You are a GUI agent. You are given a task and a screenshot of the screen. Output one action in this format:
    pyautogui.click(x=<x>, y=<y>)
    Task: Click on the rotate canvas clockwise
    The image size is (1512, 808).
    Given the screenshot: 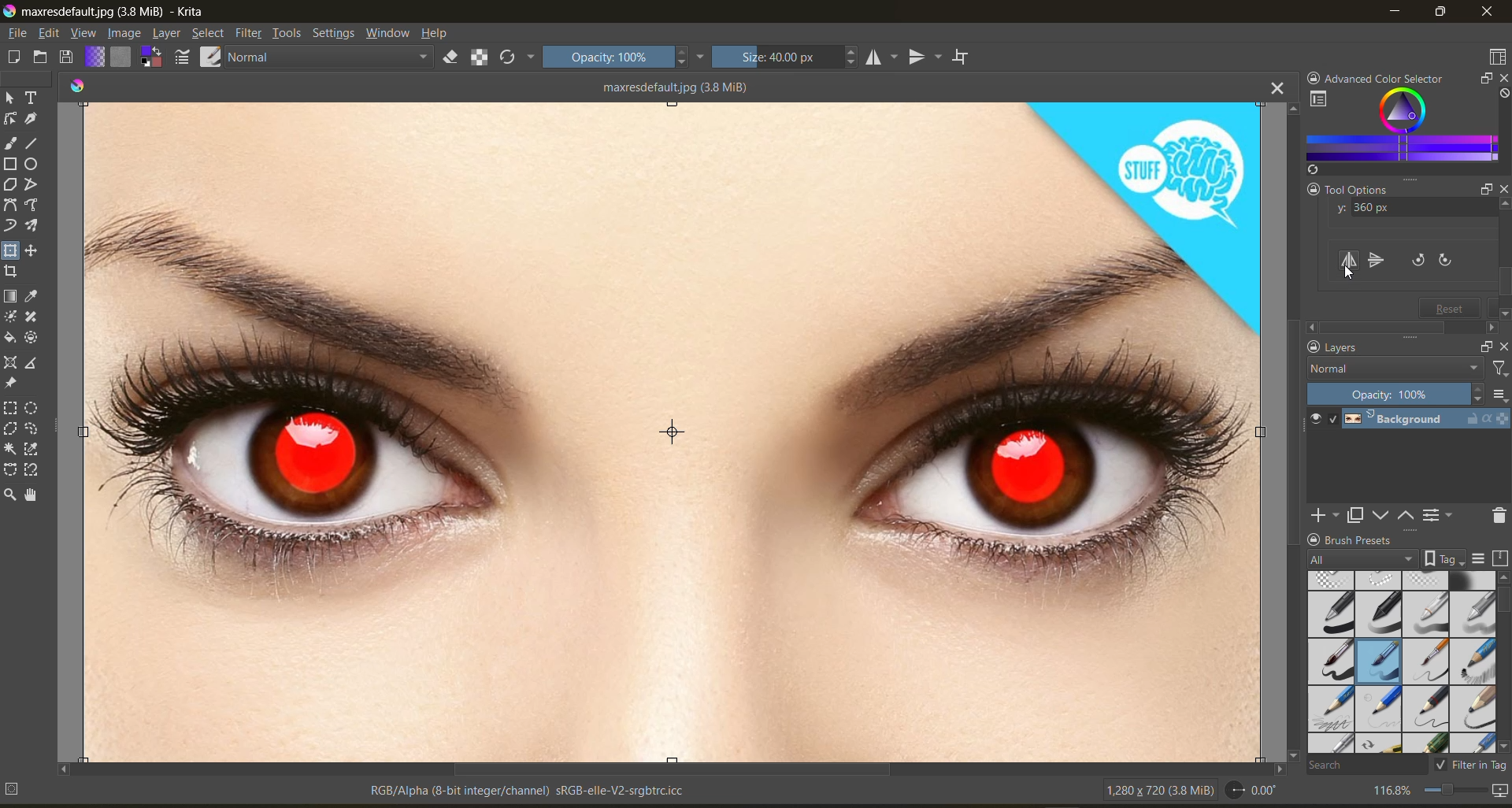 What is the action you would take?
    pyautogui.click(x=1451, y=261)
    